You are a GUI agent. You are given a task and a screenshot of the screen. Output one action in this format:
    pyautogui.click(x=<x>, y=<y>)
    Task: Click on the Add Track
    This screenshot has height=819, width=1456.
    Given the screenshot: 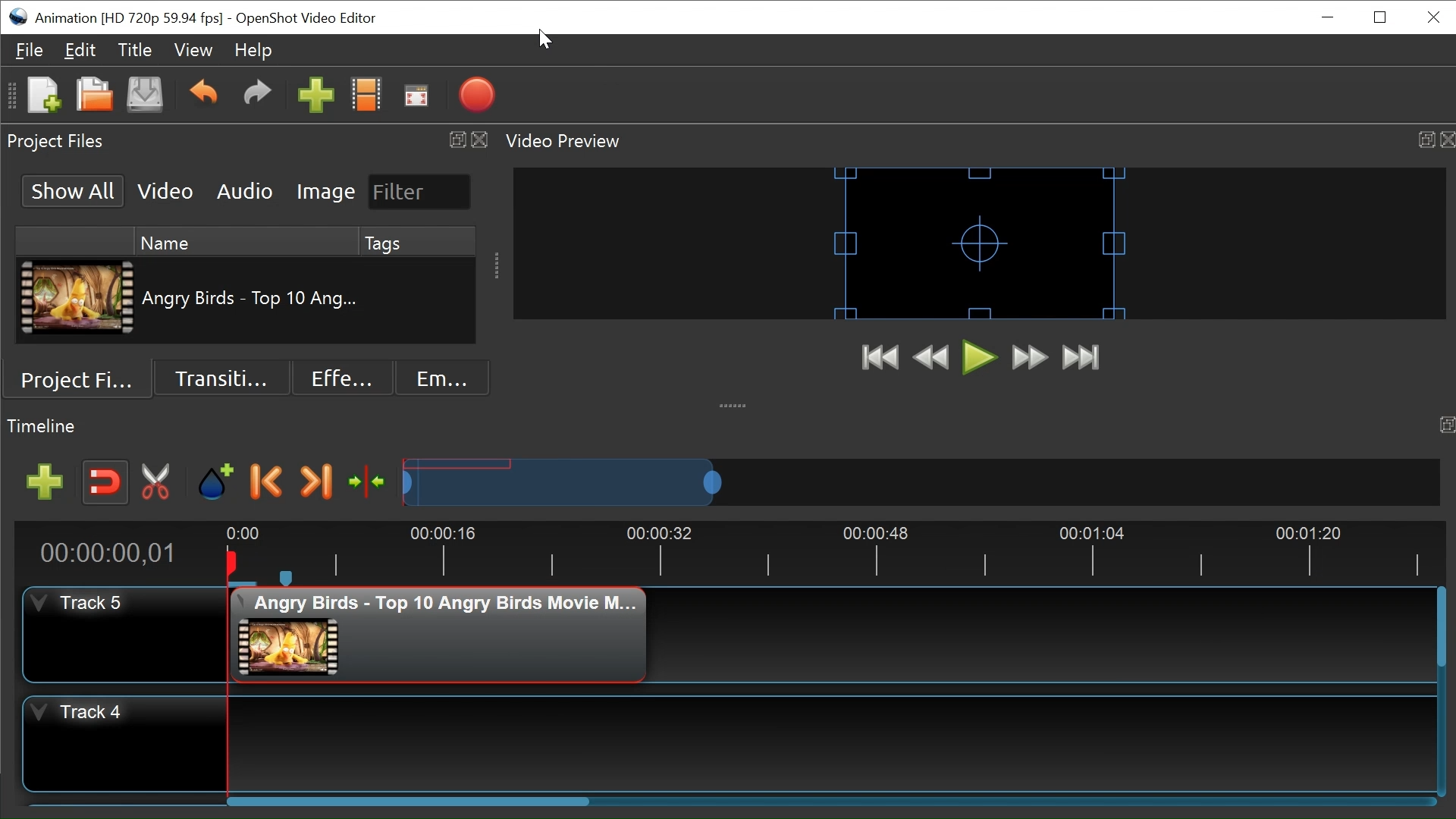 What is the action you would take?
    pyautogui.click(x=48, y=484)
    